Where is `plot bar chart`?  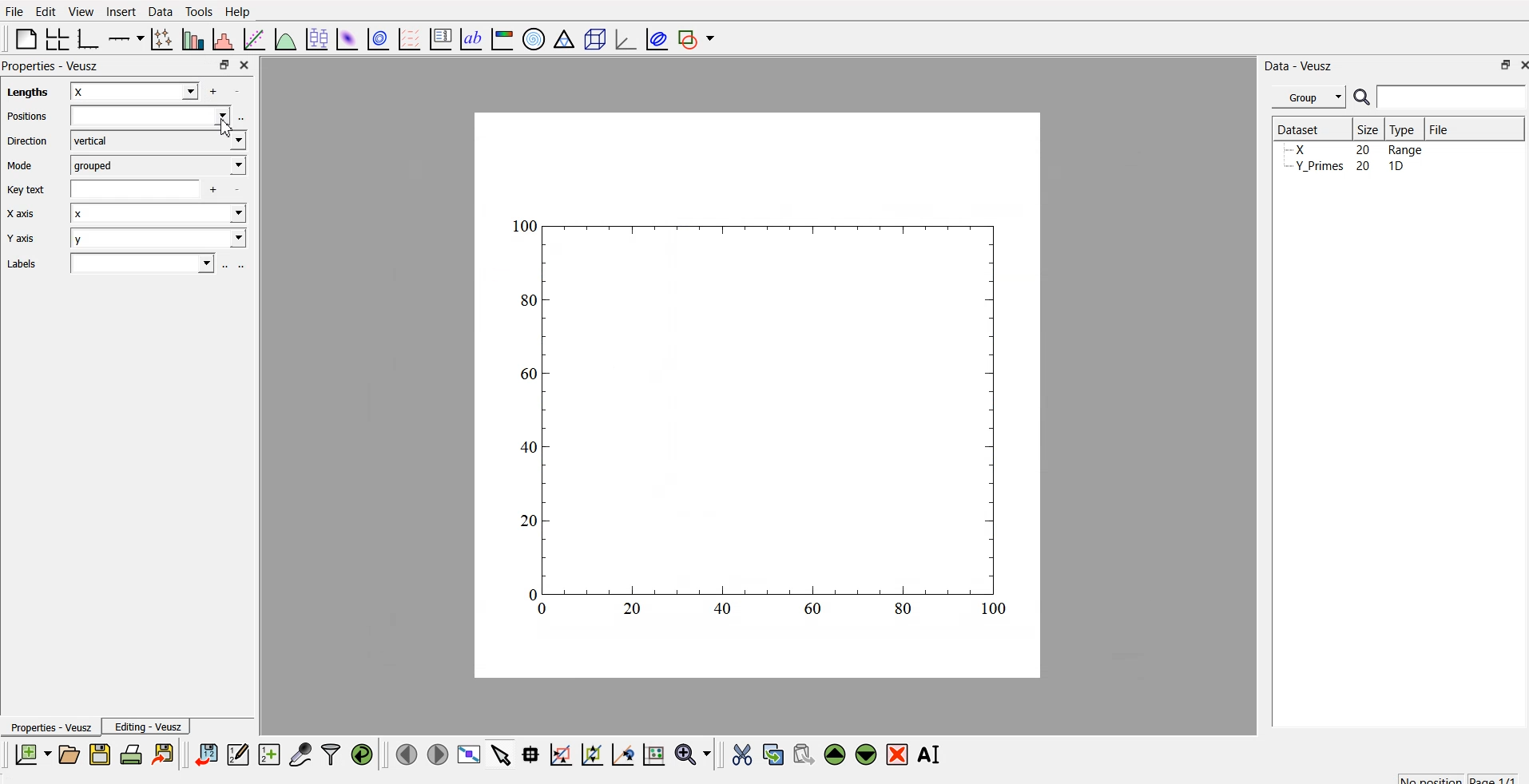 plot bar chart is located at coordinates (191, 41).